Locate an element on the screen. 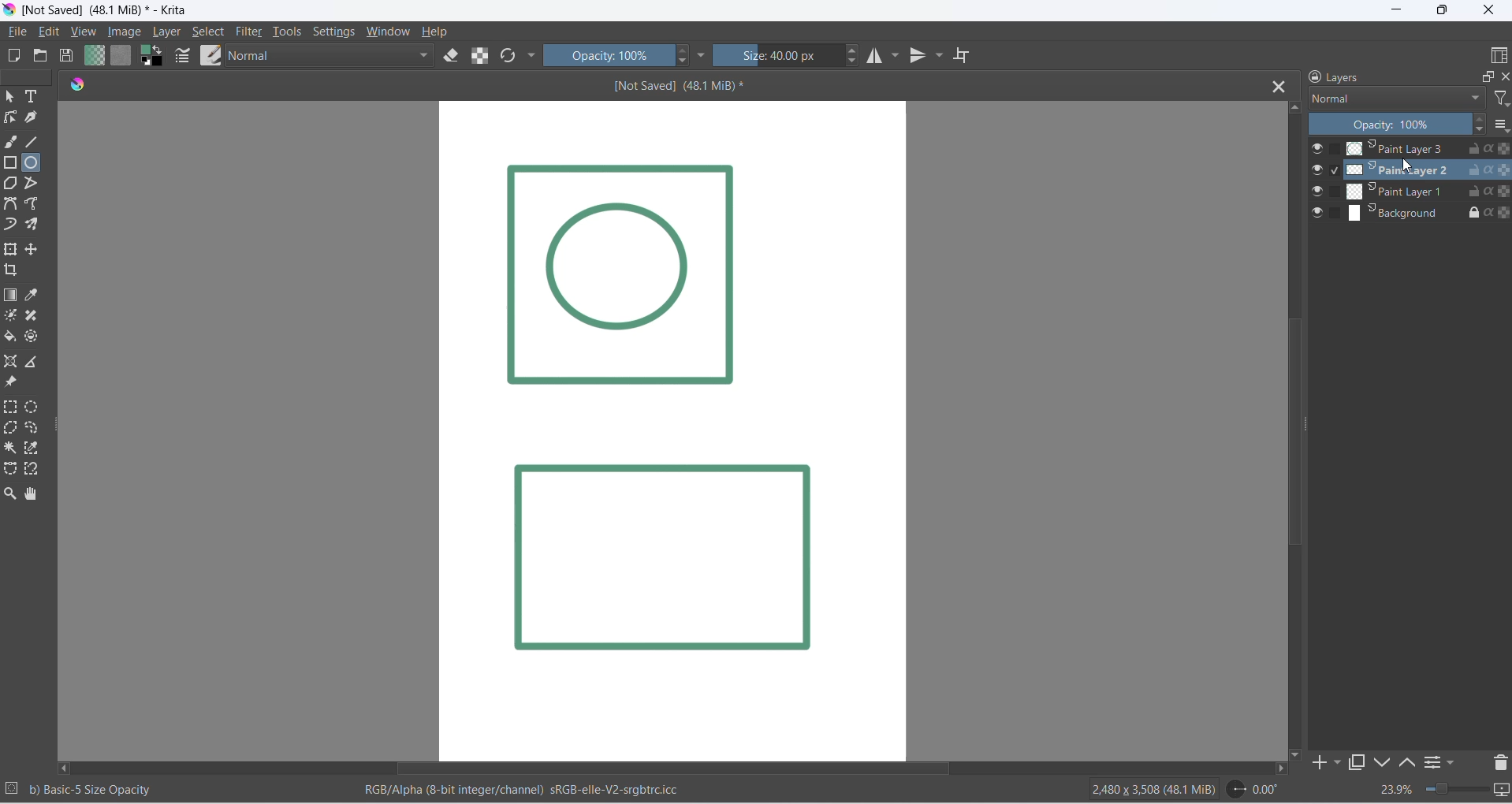 The image size is (1512, 804). refresh is located at coordinates (507, 58).